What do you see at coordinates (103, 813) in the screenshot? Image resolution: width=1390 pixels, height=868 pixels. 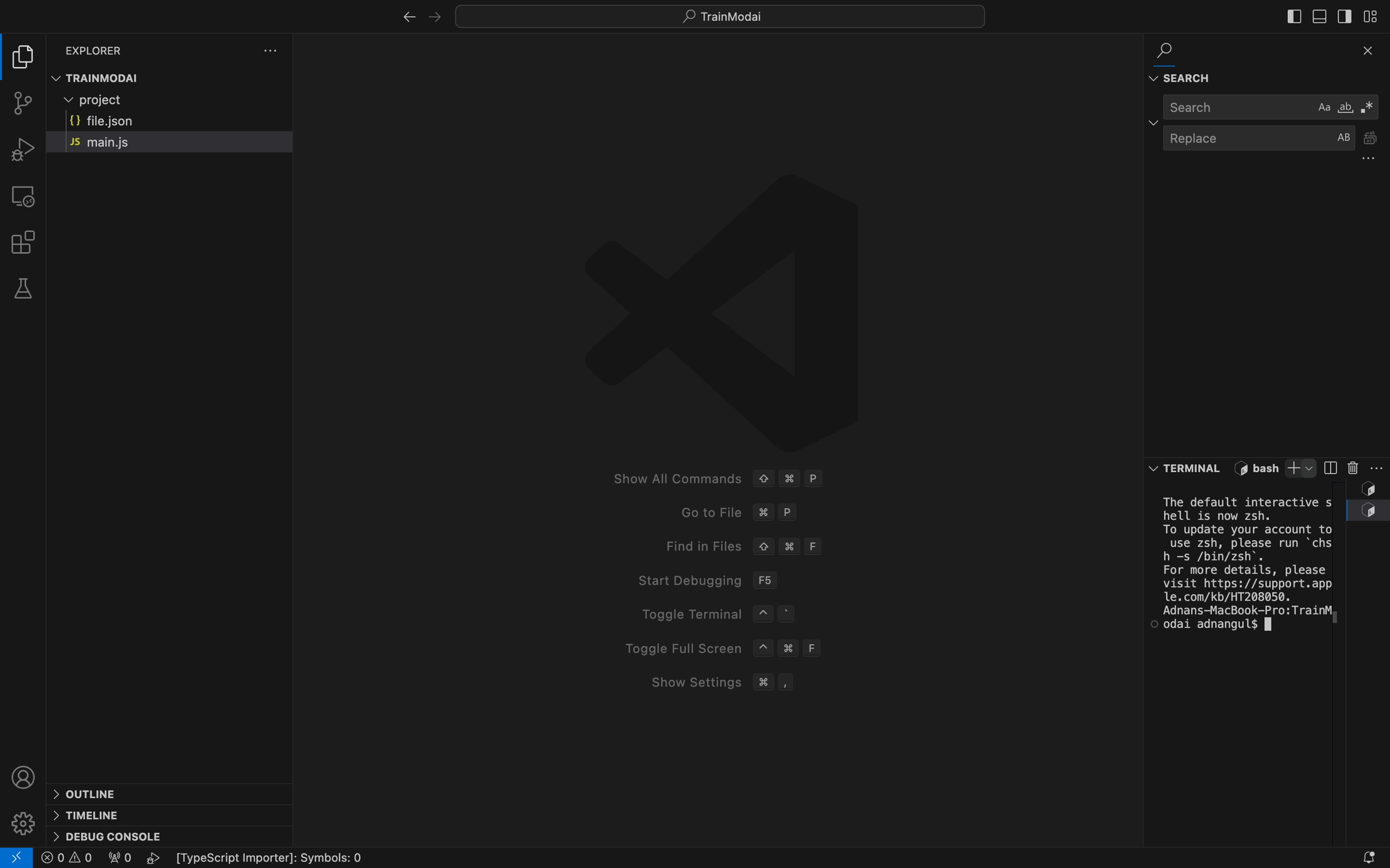 I see `timeline` at bounding box center [103, 813].